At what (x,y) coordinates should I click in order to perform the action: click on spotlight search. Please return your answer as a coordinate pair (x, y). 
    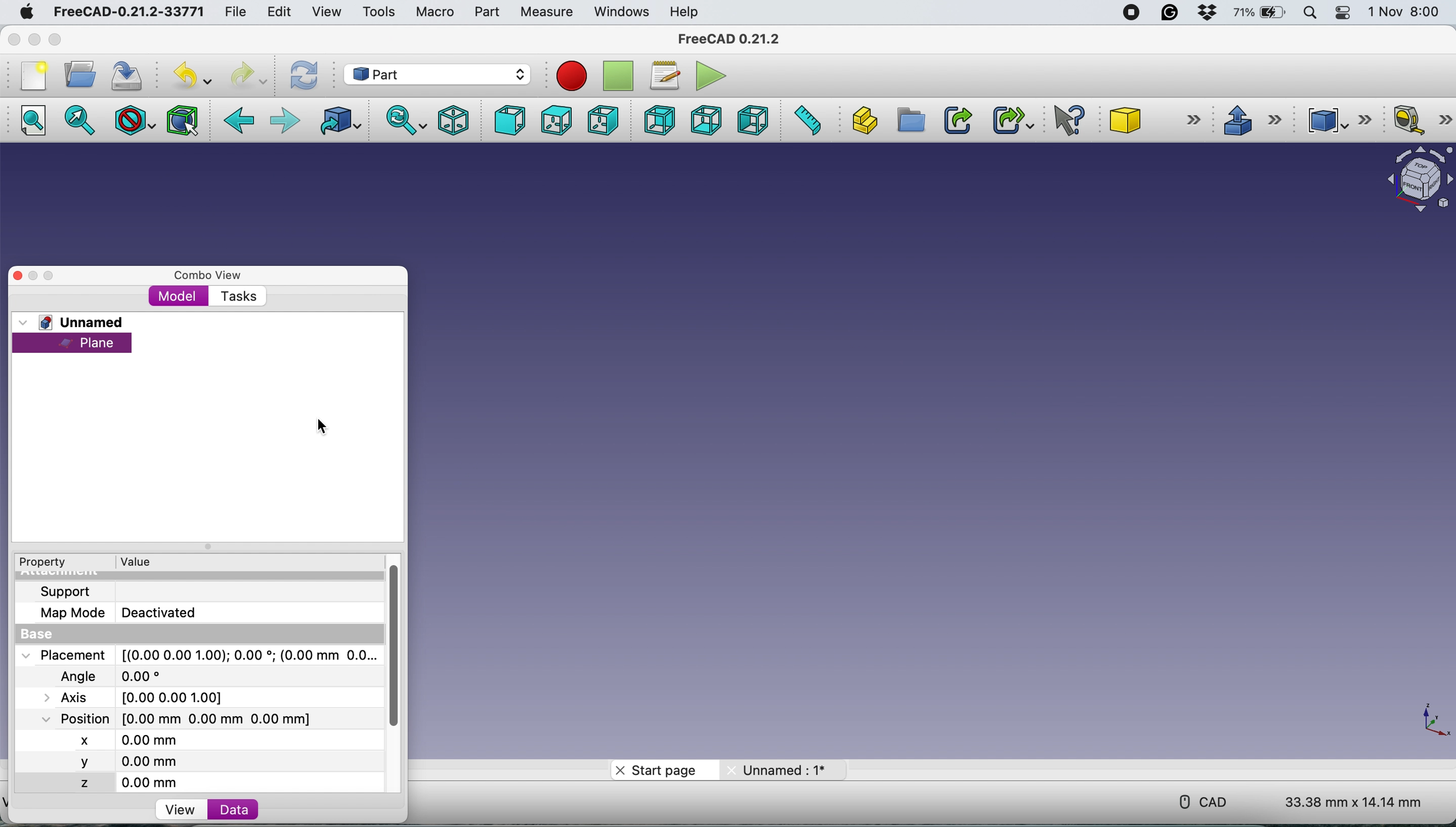
    Looking at the image, I should click on (1313, 12).